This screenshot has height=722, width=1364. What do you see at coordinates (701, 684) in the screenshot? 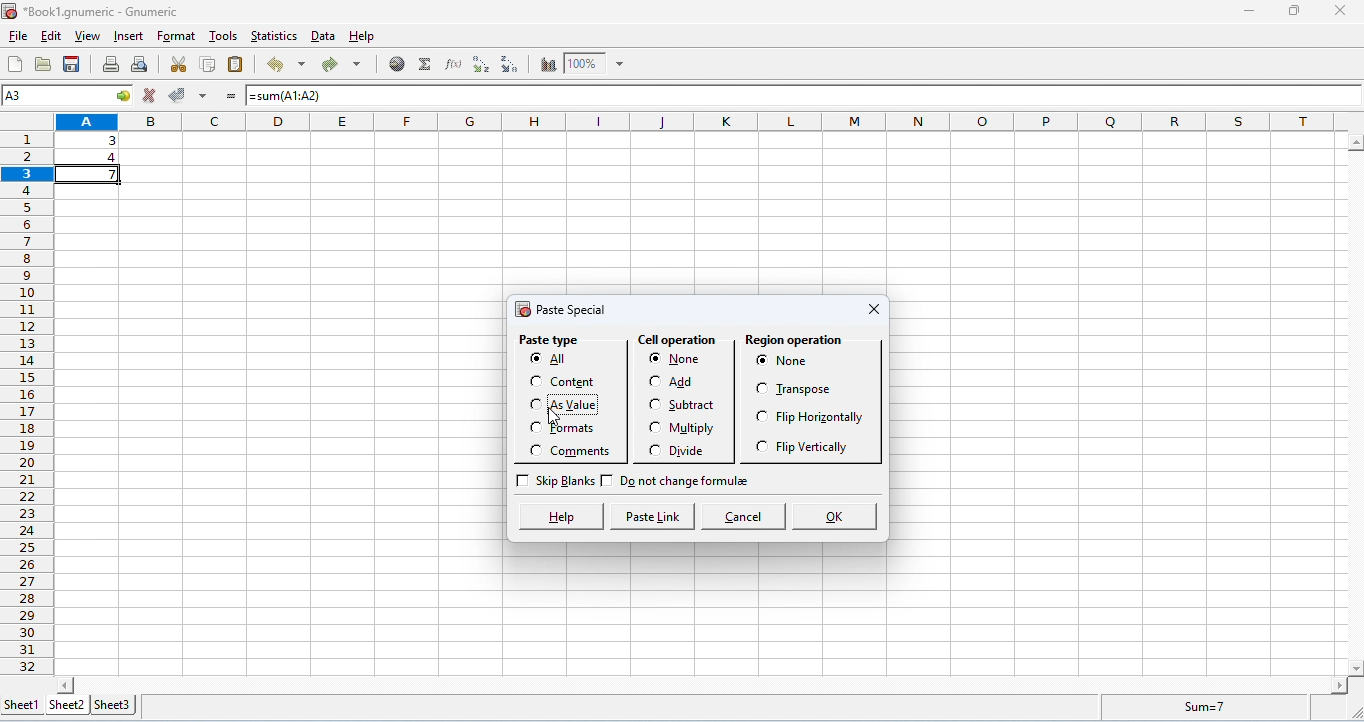
I see `space for horizontal column` at bounding box center [701, 684].